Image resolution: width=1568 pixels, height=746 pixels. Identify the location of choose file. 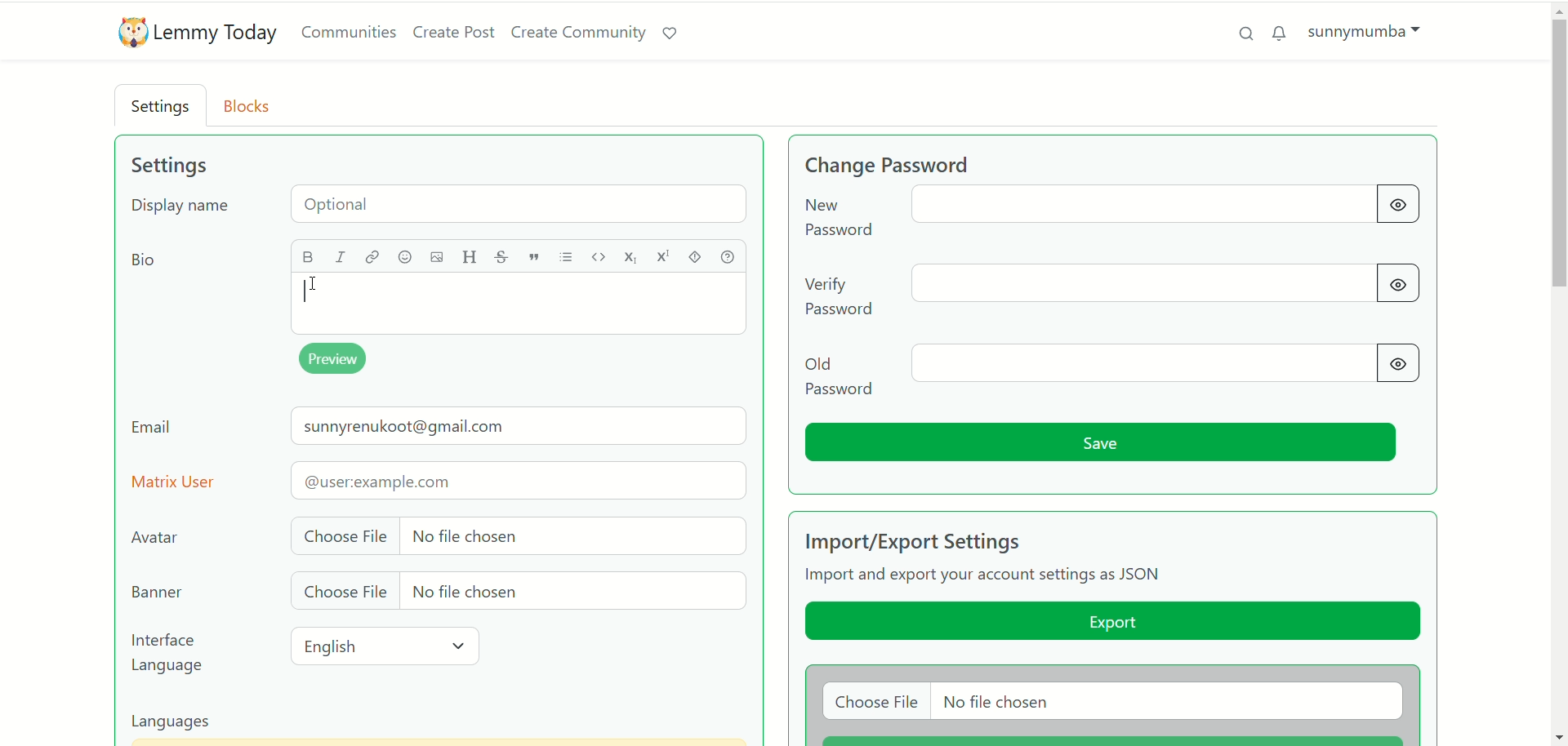
(514, 593).